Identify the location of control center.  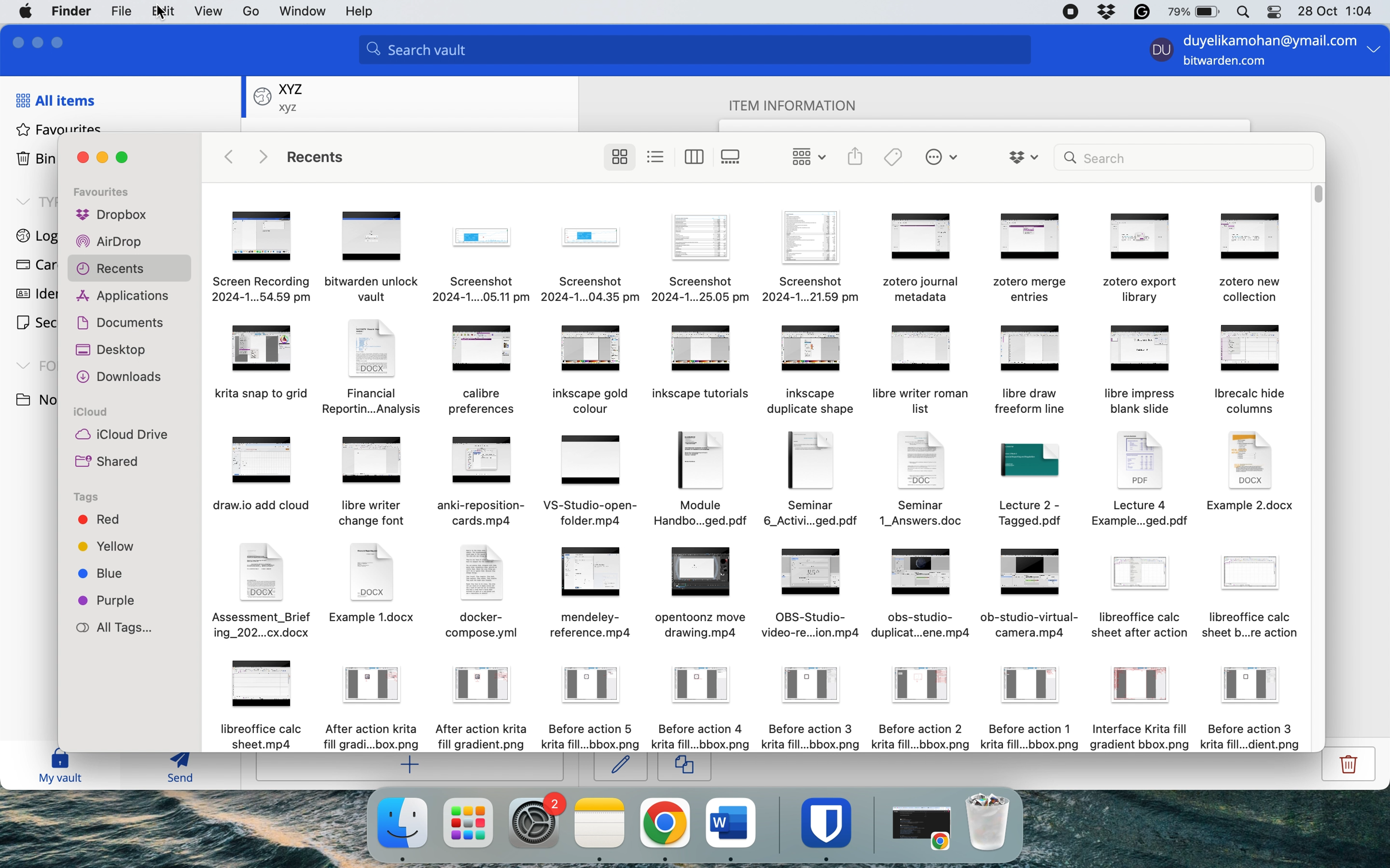
(1272, 14).